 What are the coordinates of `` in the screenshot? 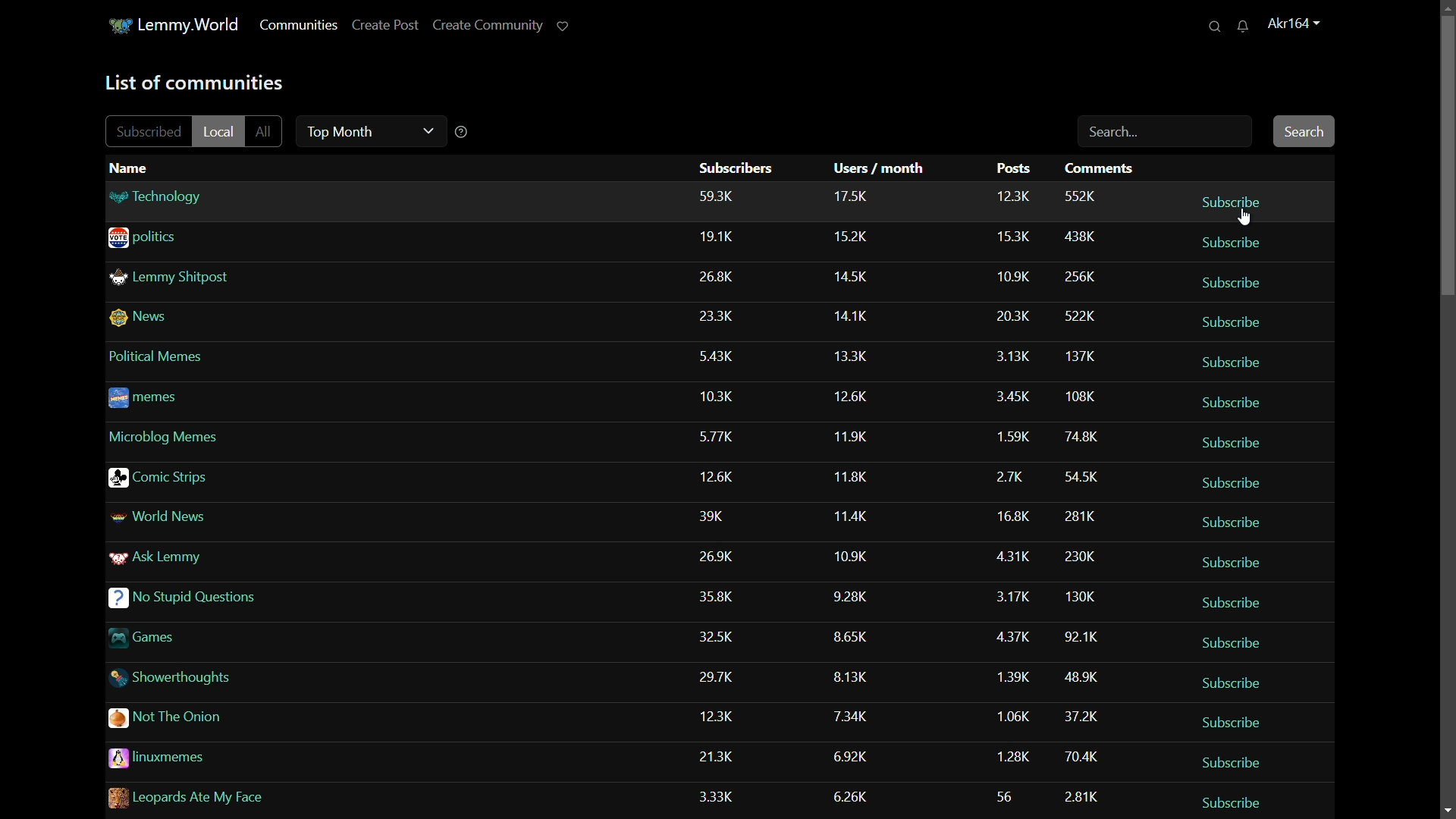 It's located at (721, 359).